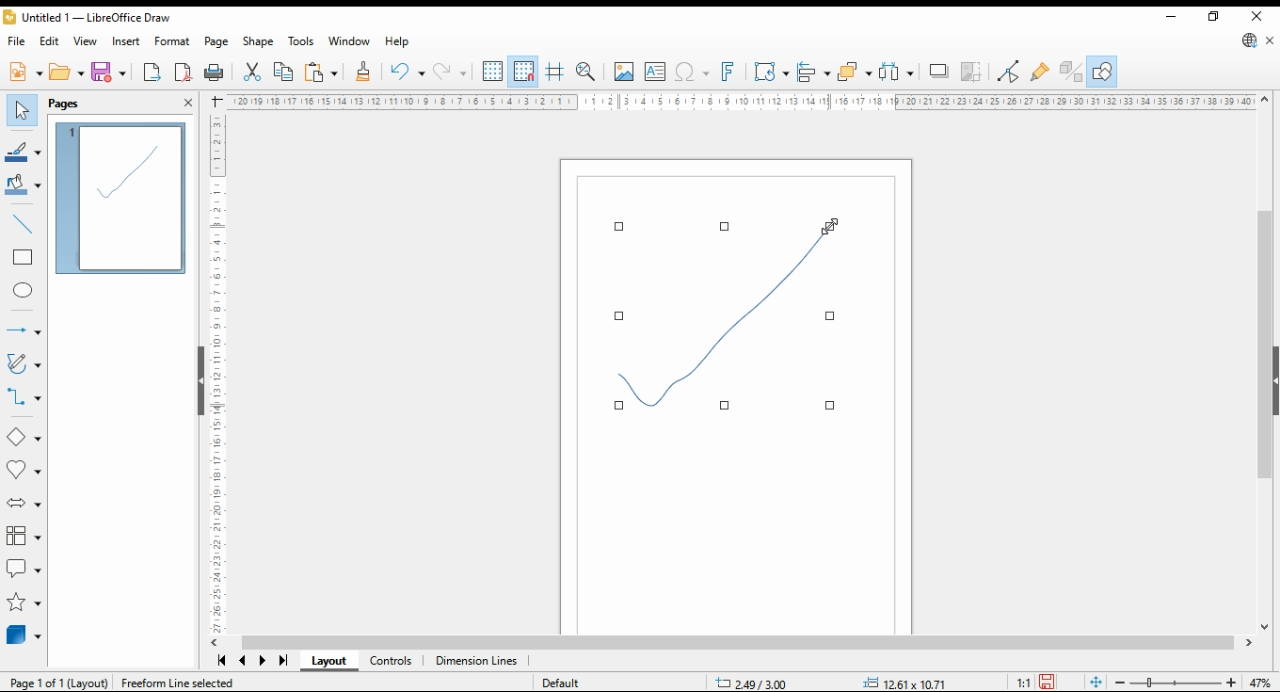 The width and height of the screenshot is (1280, 692). I want to click on save, so click(110, 73).